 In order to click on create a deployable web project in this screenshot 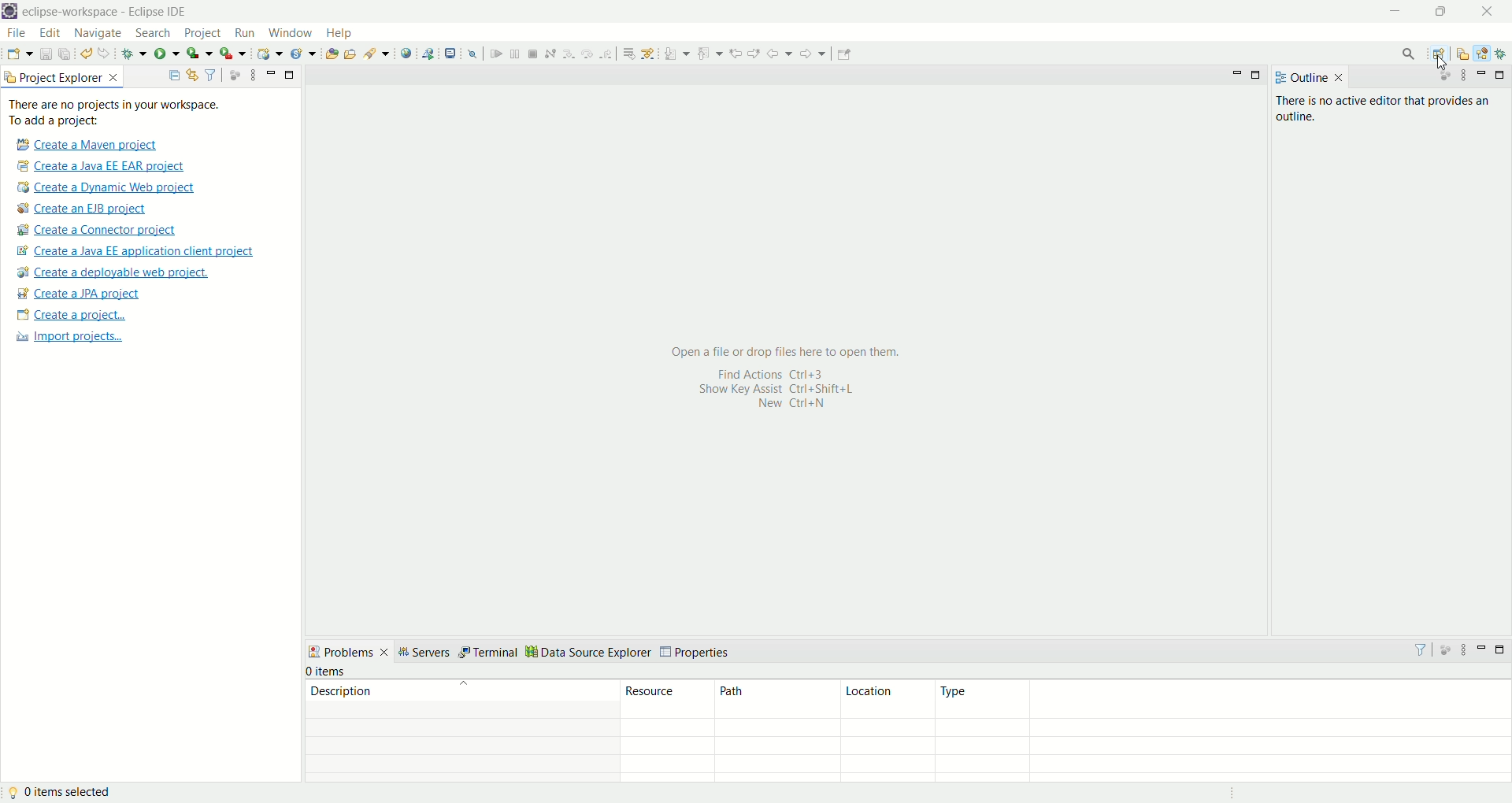, I will do `click(113, 272)`.